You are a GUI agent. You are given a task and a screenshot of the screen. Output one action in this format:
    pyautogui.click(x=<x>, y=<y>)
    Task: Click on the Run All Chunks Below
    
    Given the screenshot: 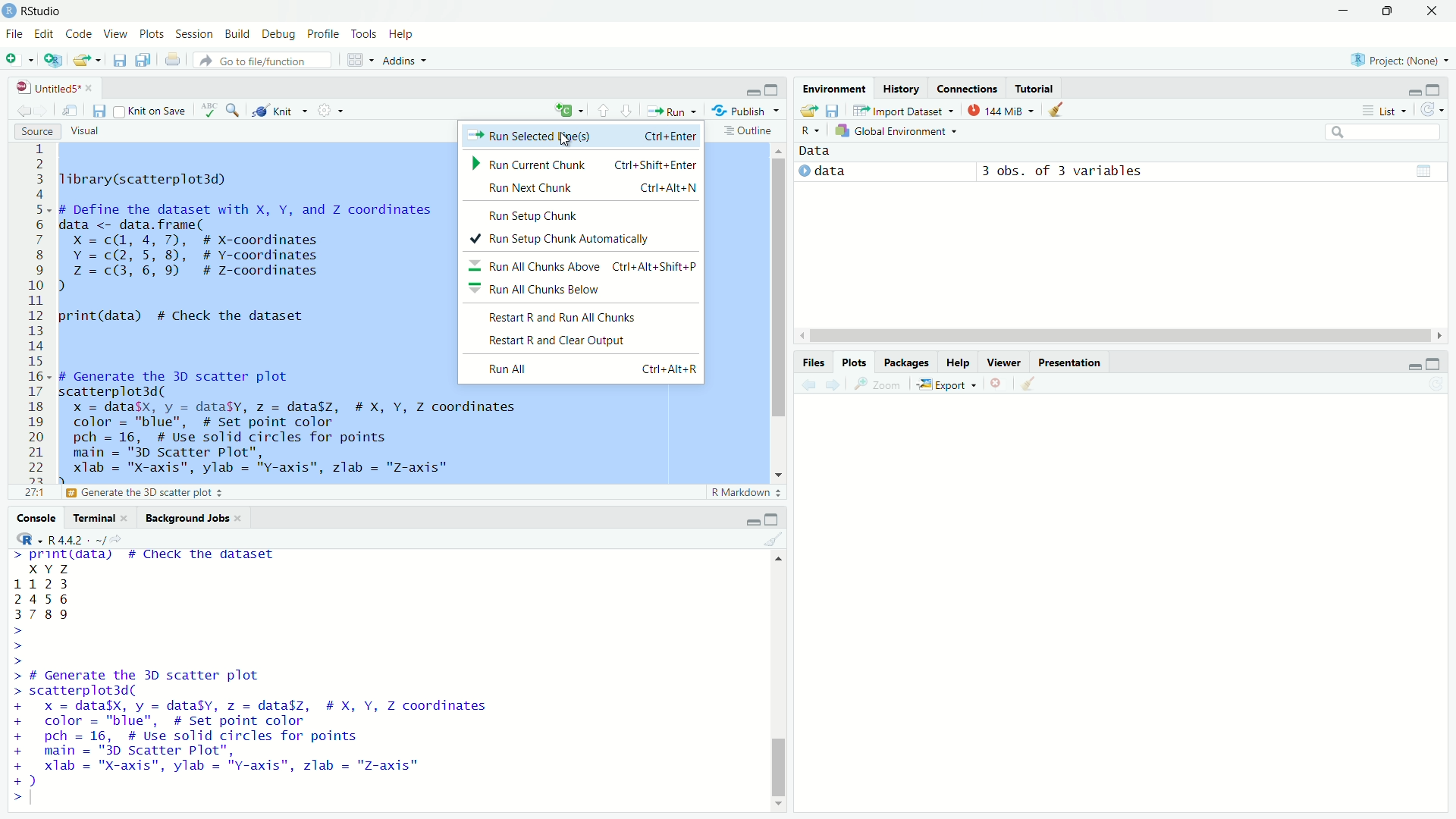 What is the action you would take?
    pyautogui.click(x=549, y=288)
    